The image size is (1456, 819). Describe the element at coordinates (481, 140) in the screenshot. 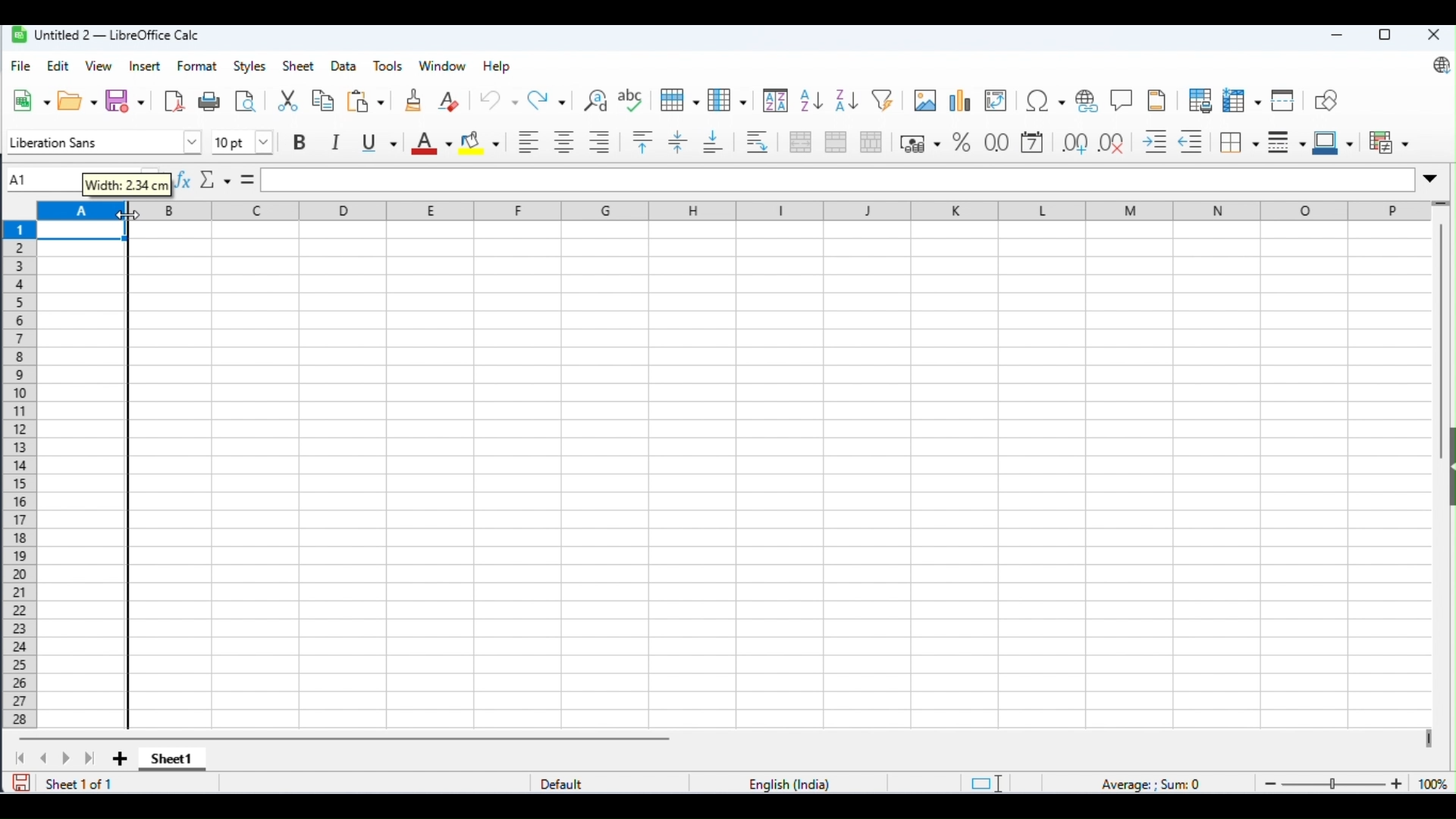

I see `background color` at that location.